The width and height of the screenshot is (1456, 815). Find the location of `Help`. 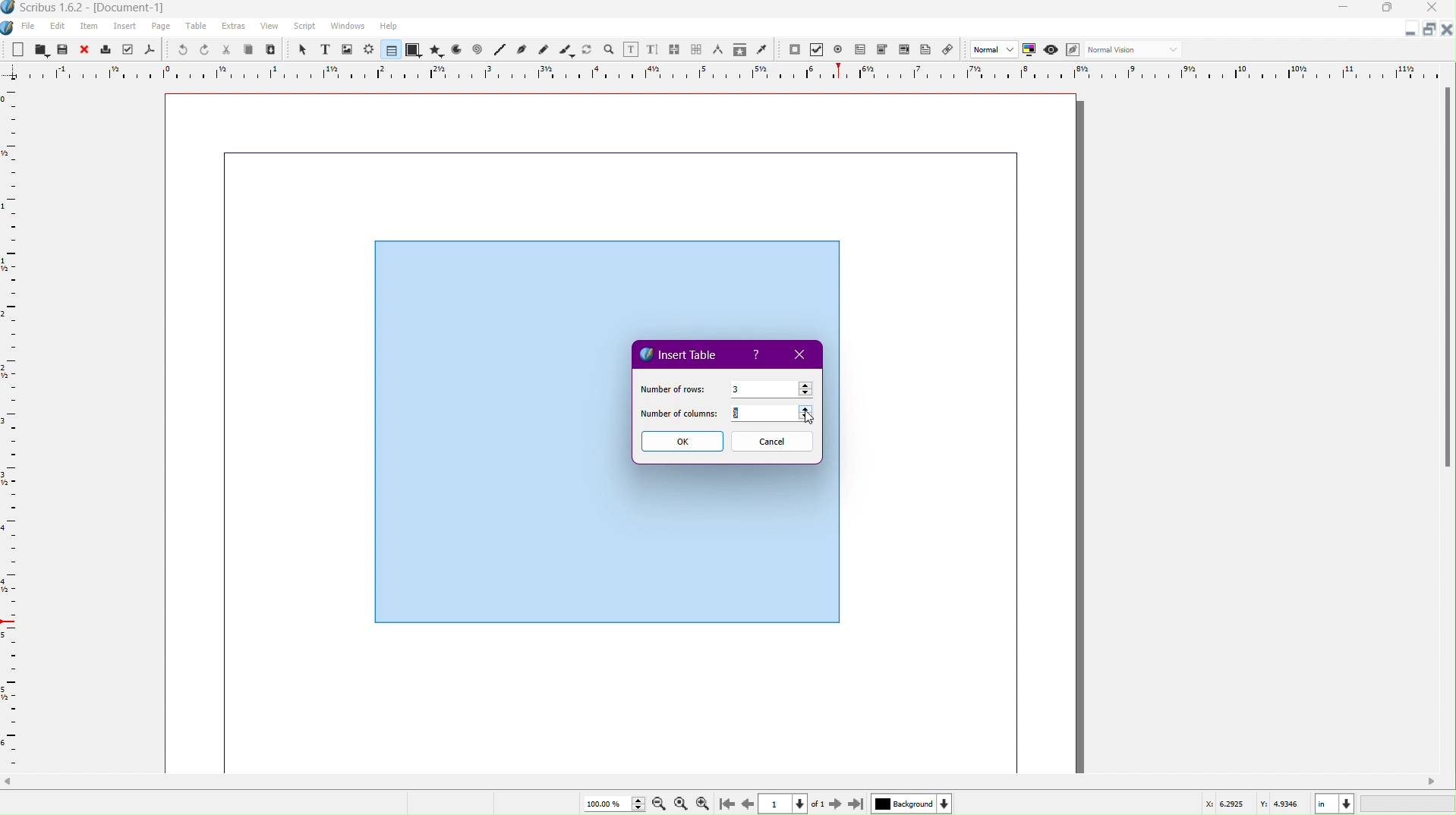

Help is located at coordinates (758, 355).